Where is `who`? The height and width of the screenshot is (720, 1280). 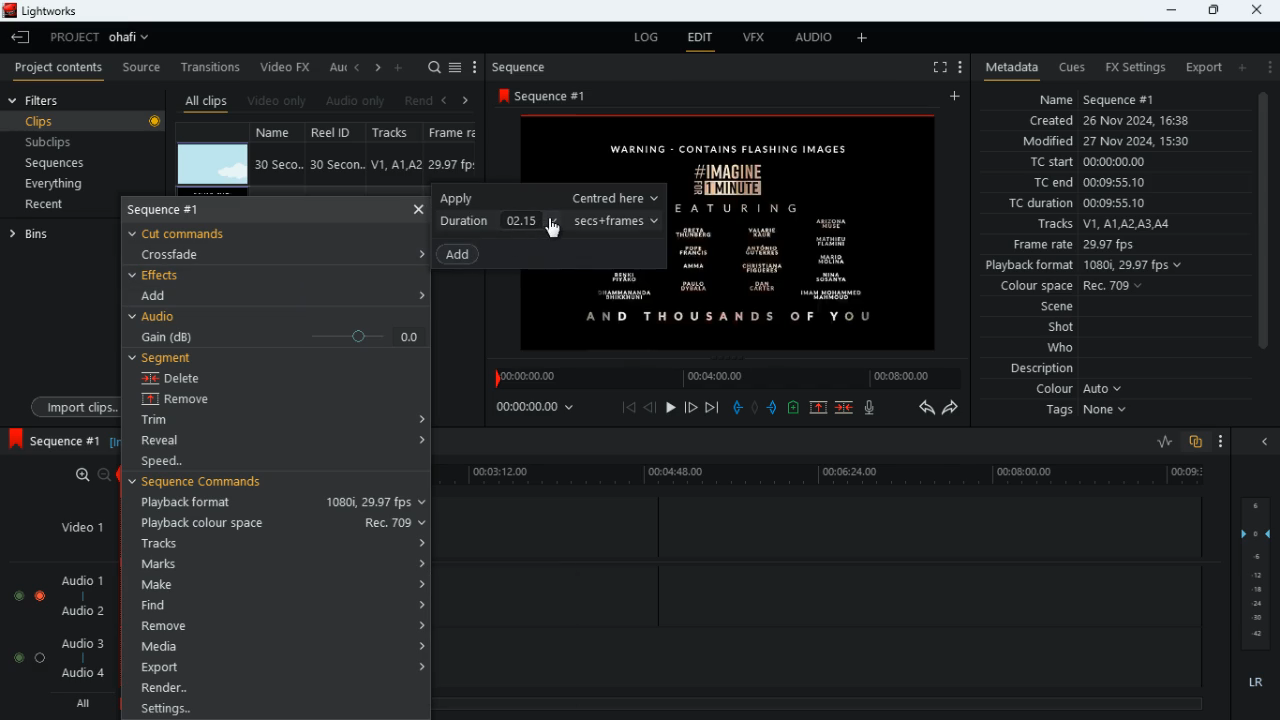 who is located at coordinates (1065, 348).